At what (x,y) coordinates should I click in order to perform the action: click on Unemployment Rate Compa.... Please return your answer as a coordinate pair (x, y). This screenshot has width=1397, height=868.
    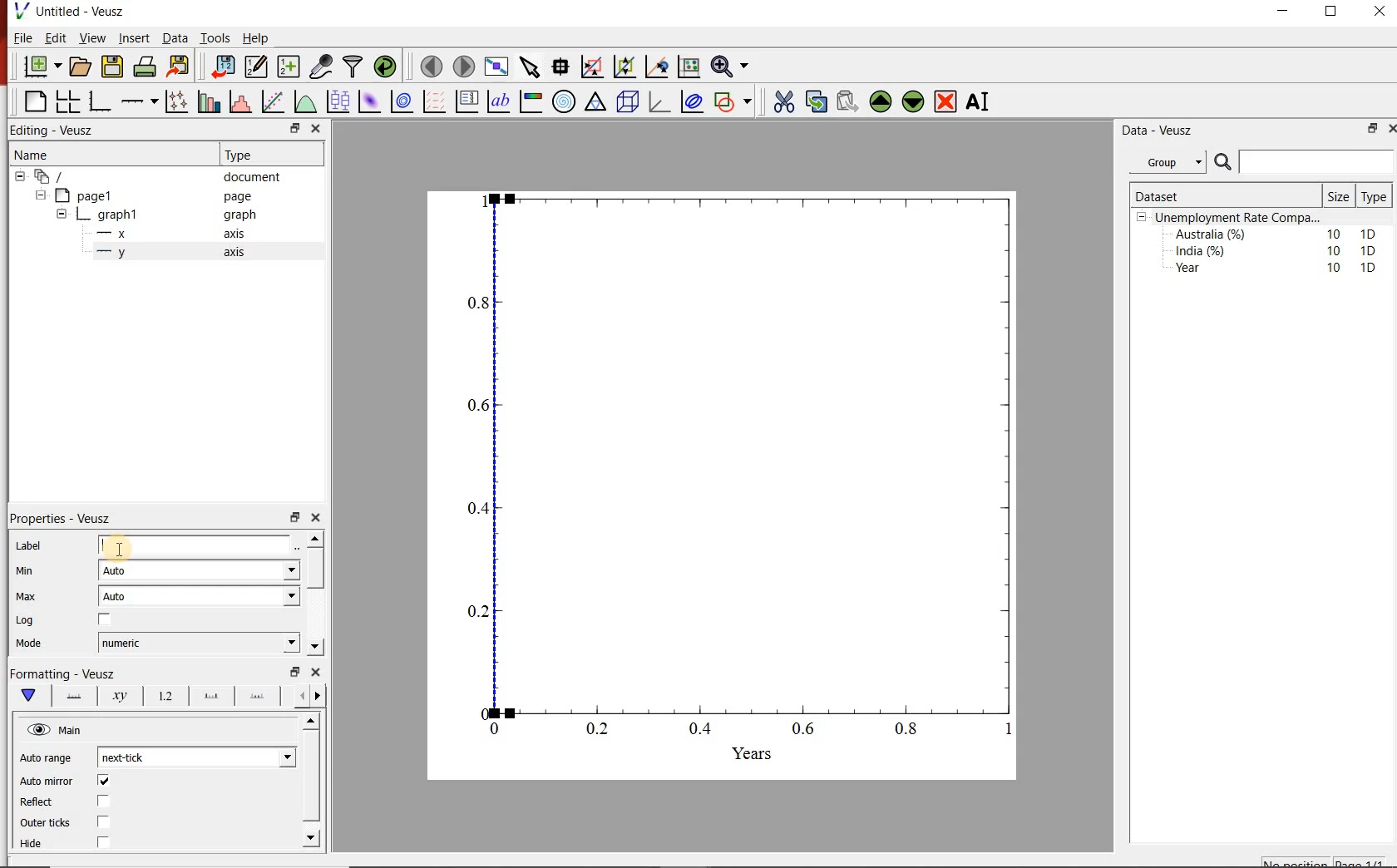
    Looking at the image, I should click on (1239, 218).